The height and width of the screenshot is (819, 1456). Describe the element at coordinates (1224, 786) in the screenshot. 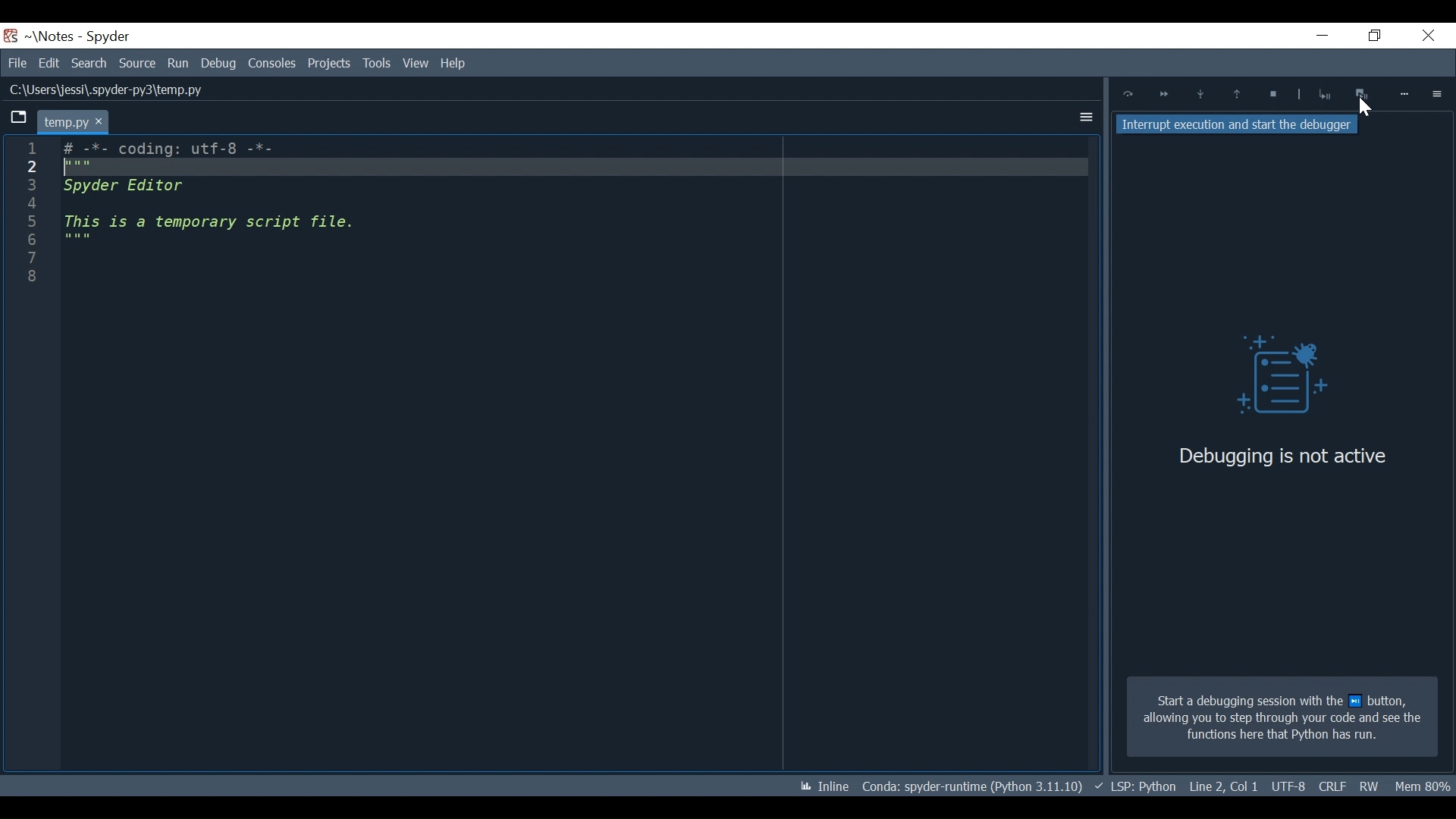

I see `File EQL Status` at that location.